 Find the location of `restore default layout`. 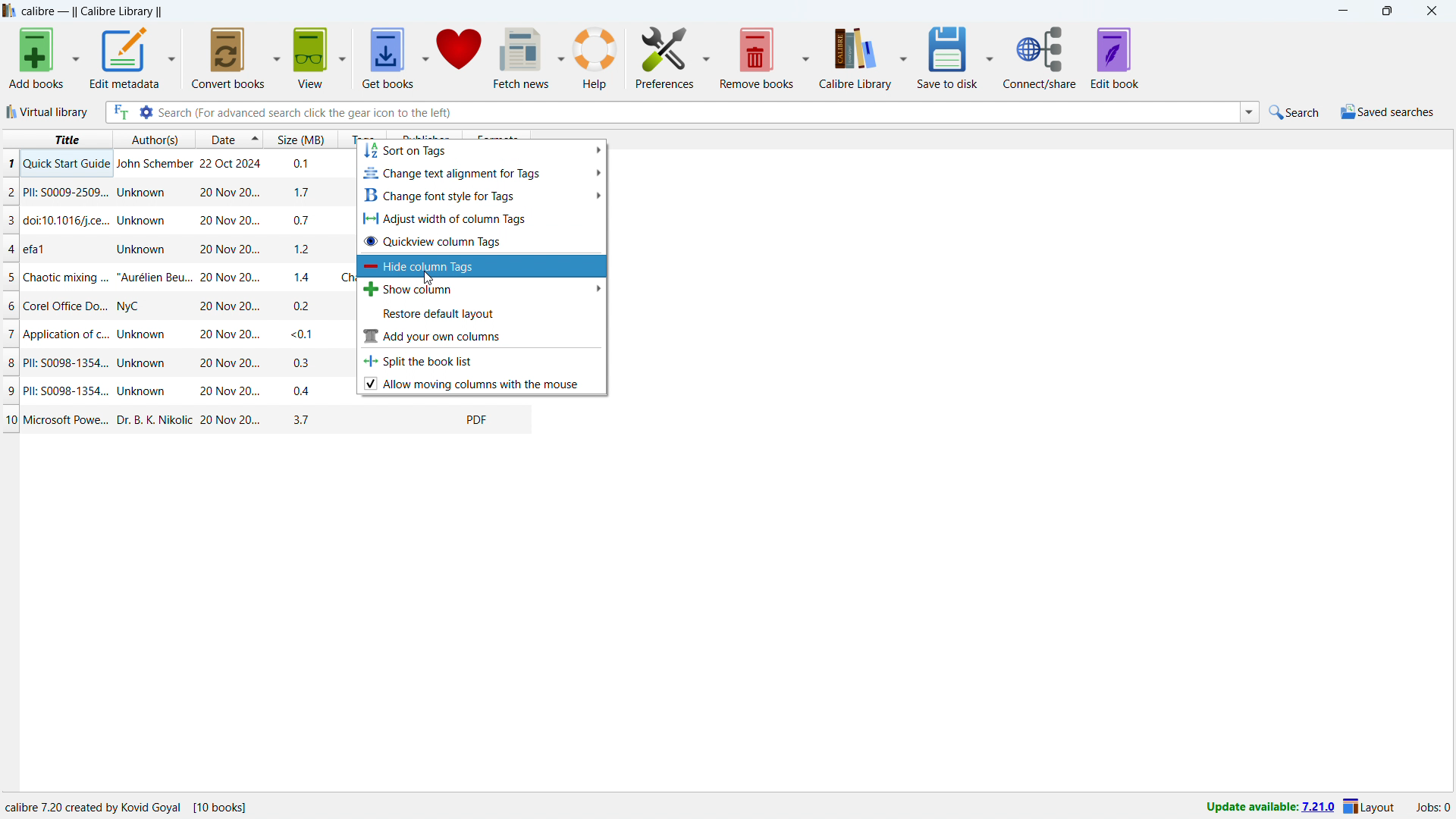

restore default layout is located at coordinates (482, 312).